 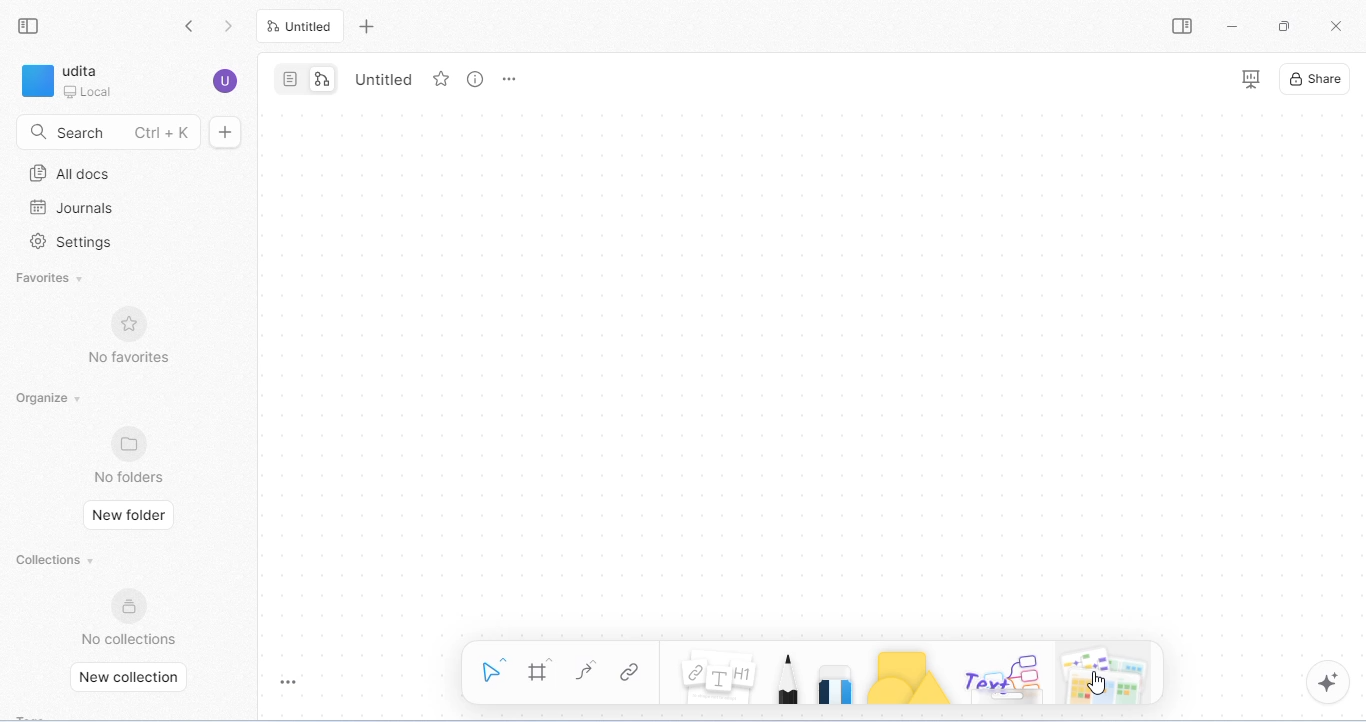 I want to click on open side bar, so click(x=1183, y=26).